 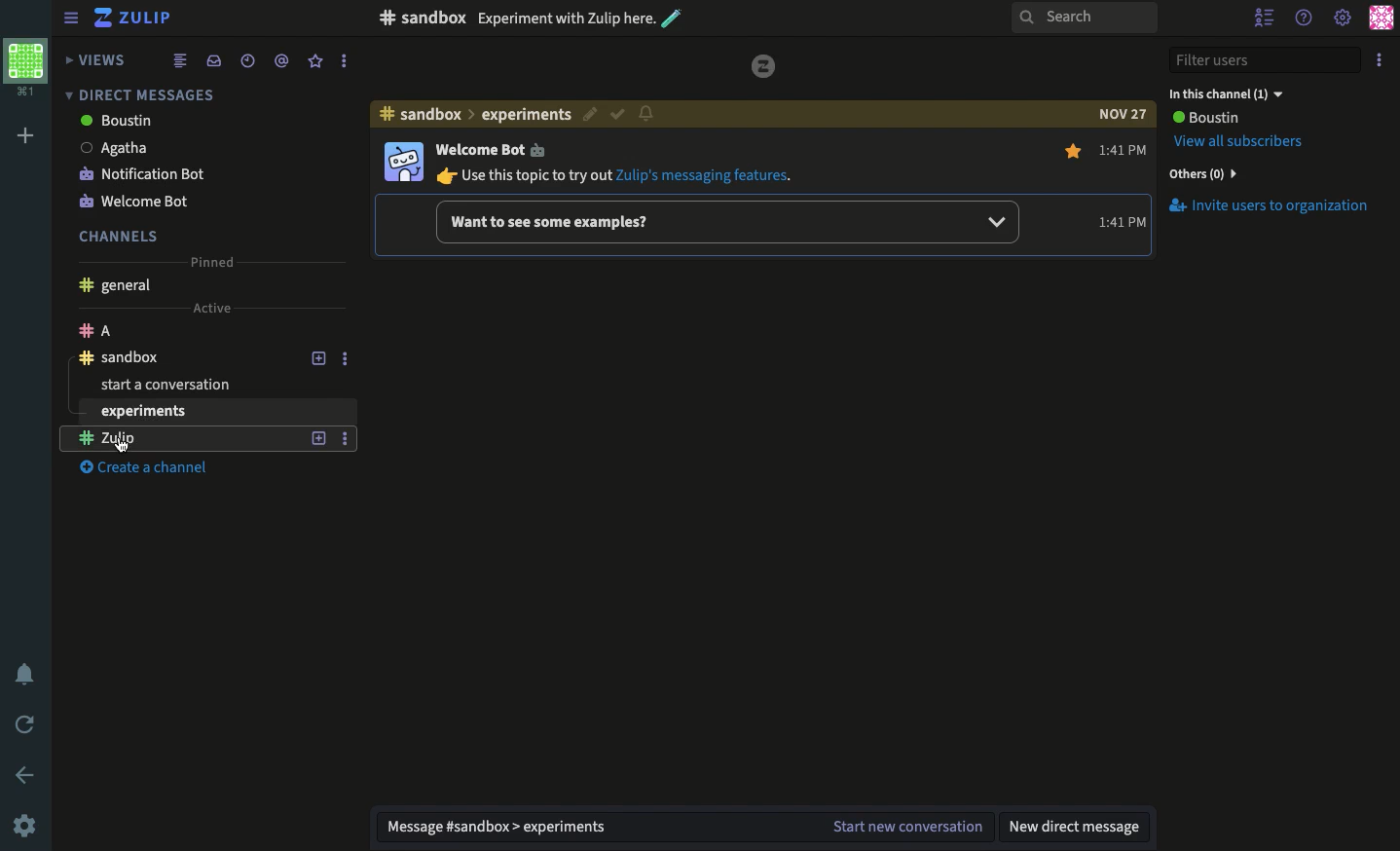 What do you see at coordinates (24, 825) in the screenshot?
I see `Settings` at bounding box center [24, 825].